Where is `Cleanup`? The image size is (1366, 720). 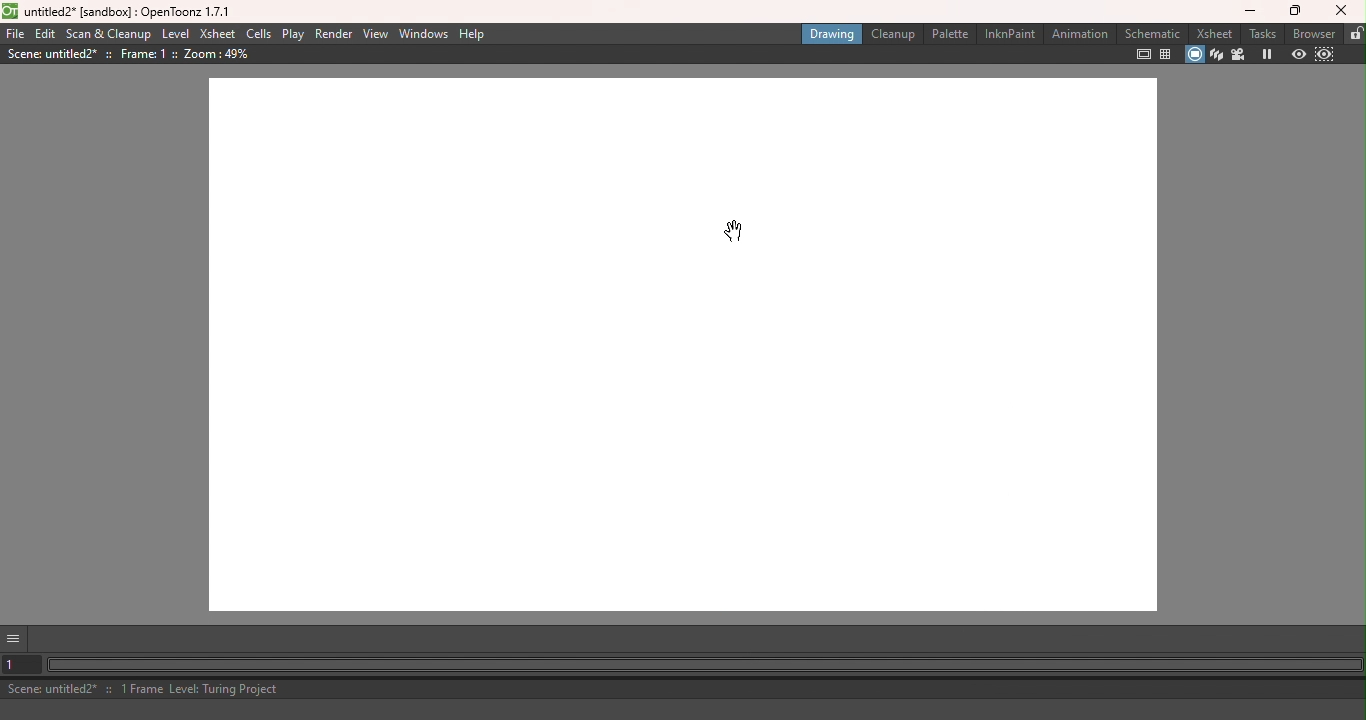 Cleanup is located at coordinates (893, 33).